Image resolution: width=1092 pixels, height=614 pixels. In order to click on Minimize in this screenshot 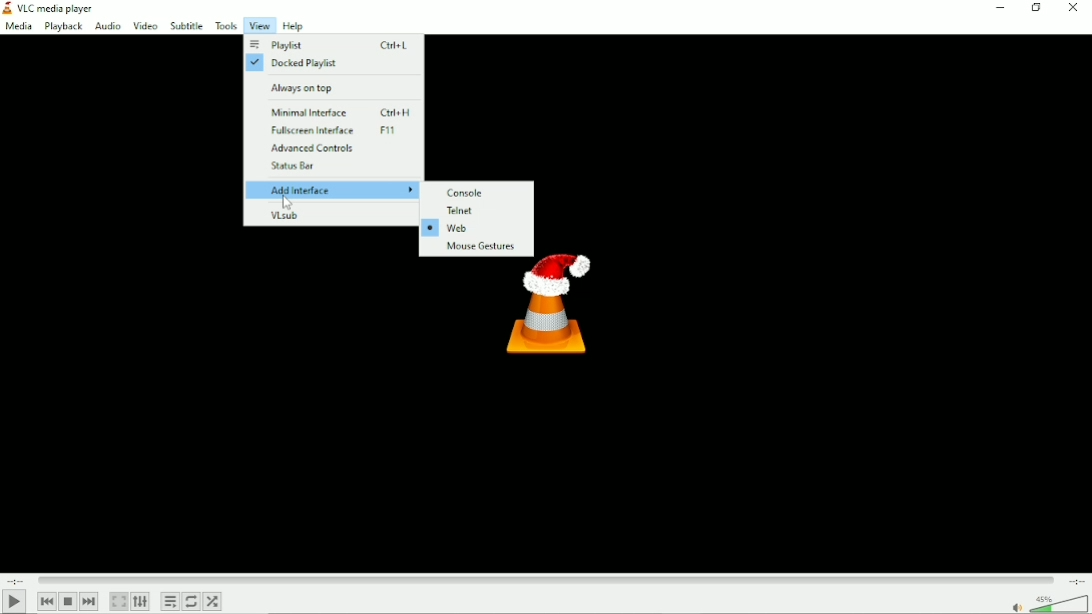, I will do `click(999, 10)`.